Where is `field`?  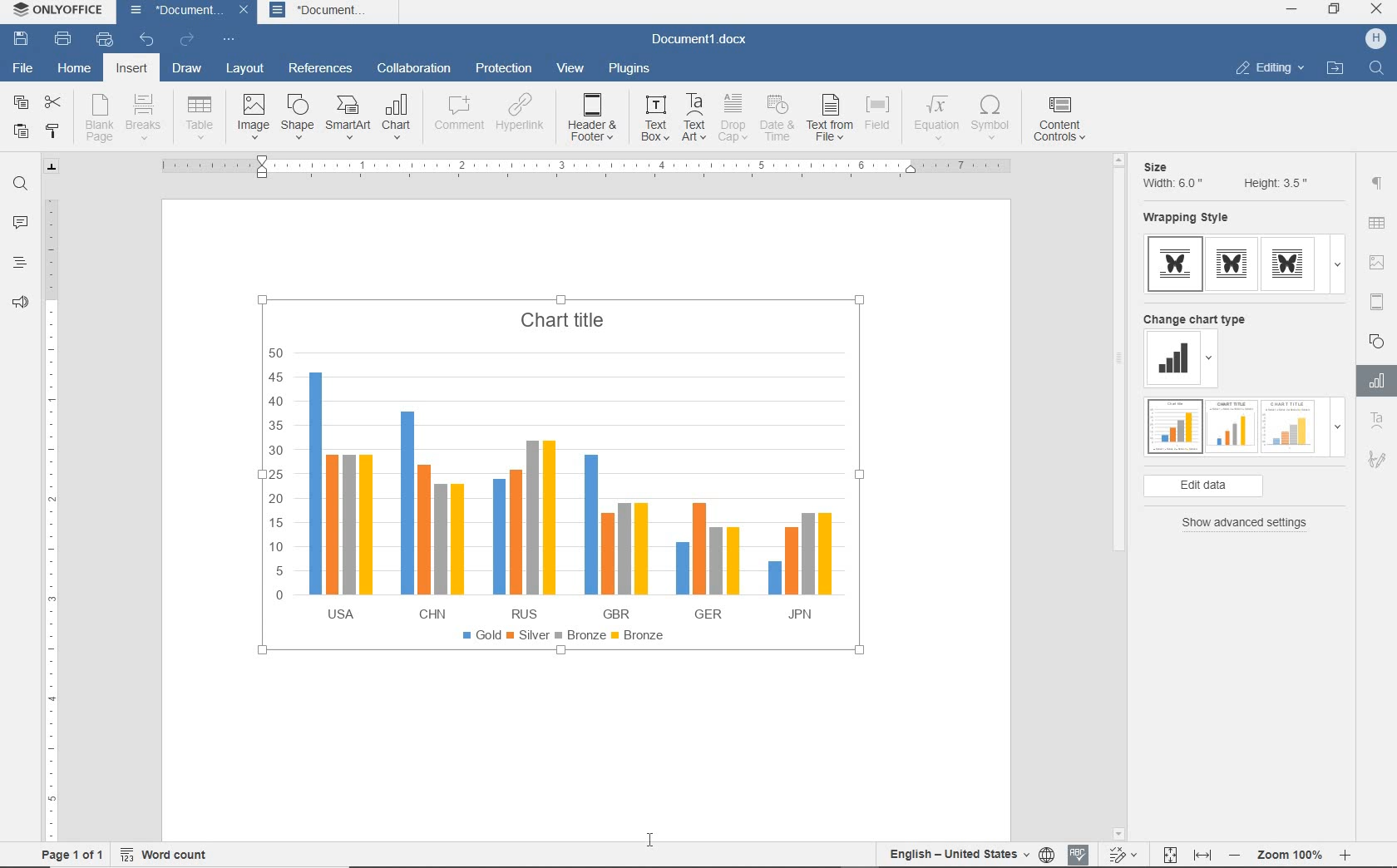
field is located at coordinates (879, 118).